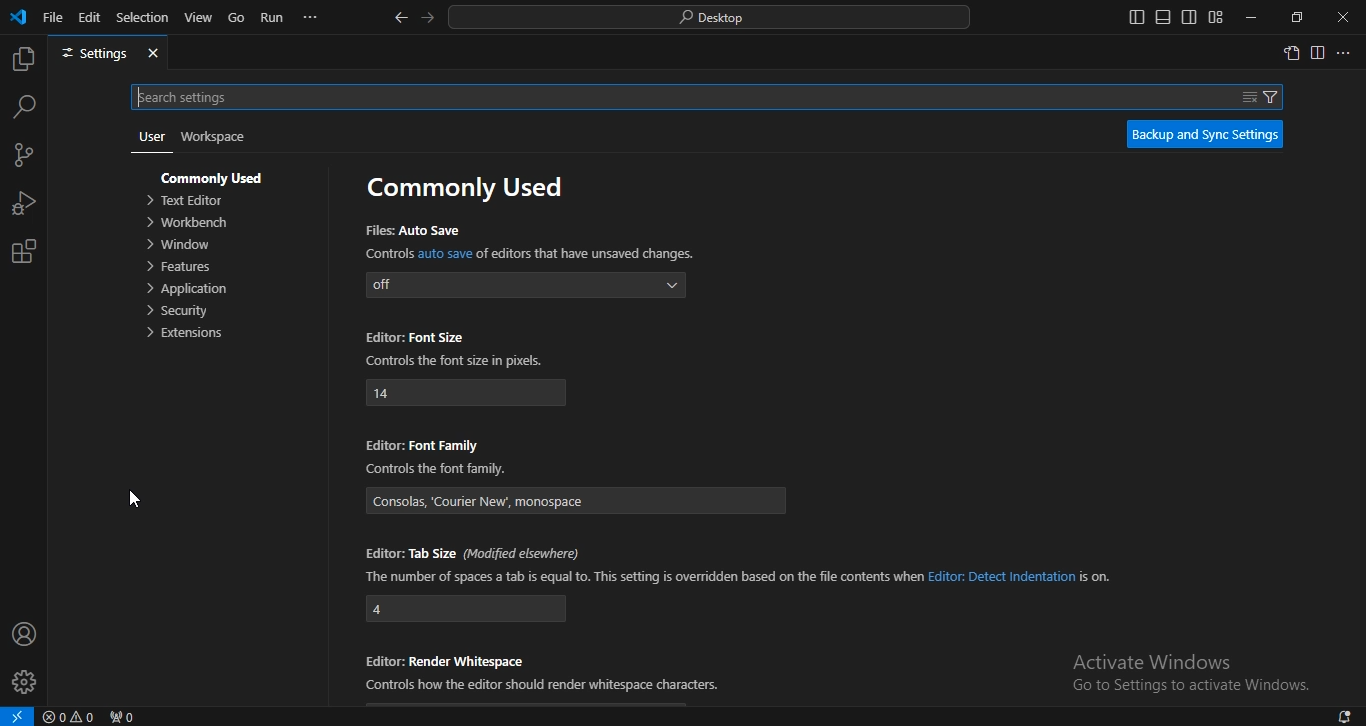  Describe the element at coordinates (416, 338) in the screenshot. I see `editor ; font size` at that location.